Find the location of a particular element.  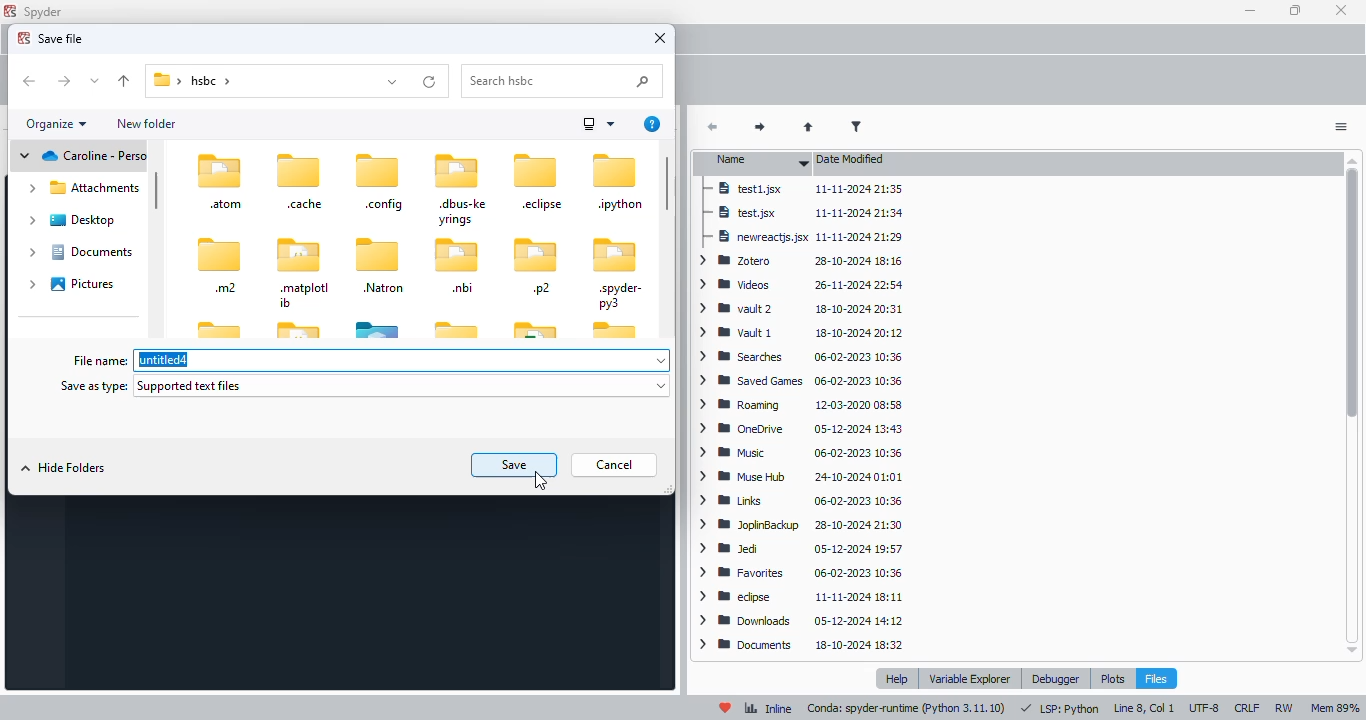

vertical scroll bar is located at coordinates (159, 190).